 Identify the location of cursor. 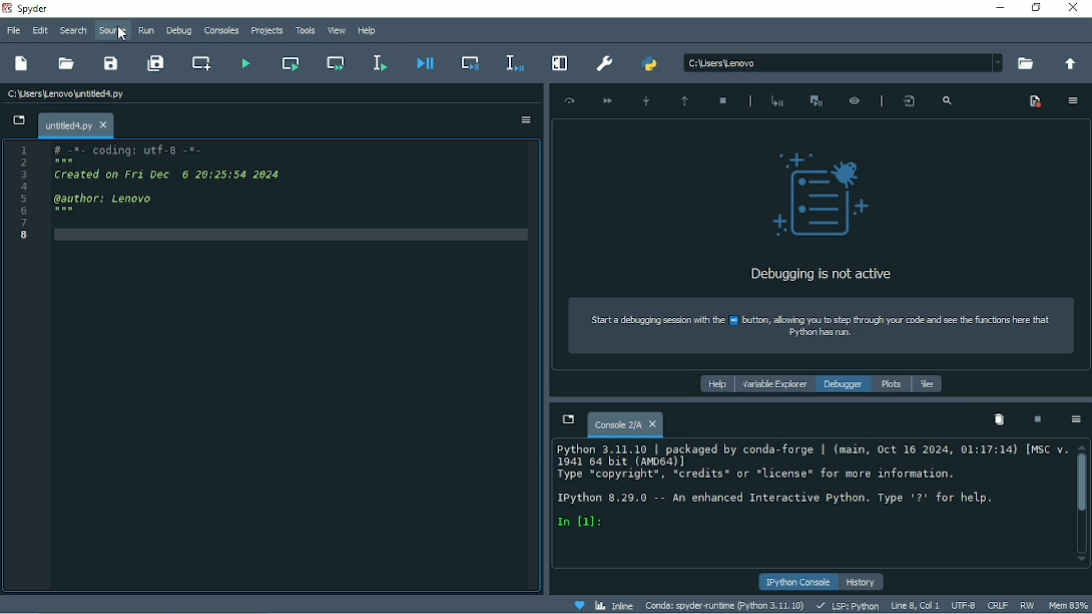
(120, 35).